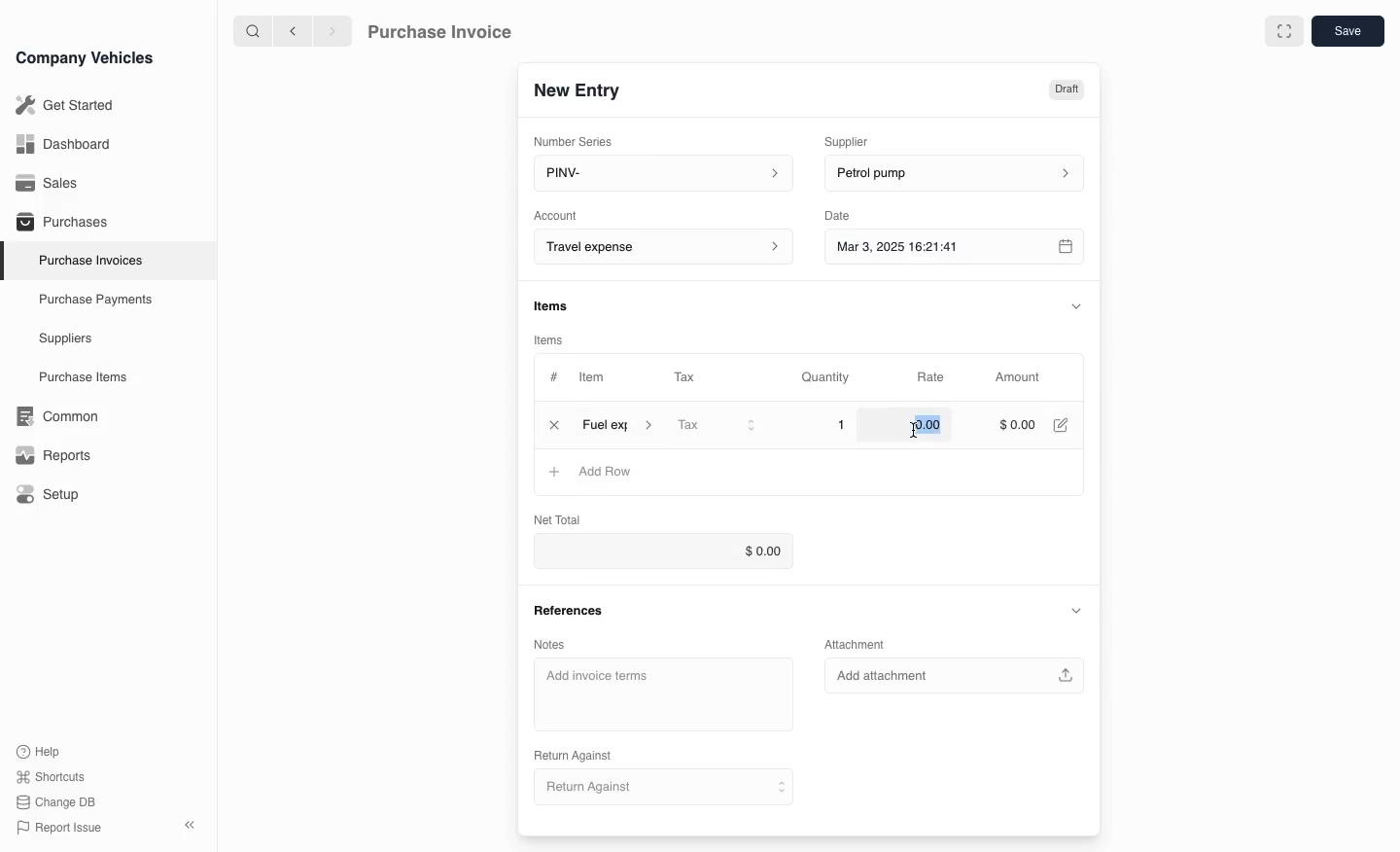 This screenshot has width=1400, height=852. What do you see at coordinates (857, 644) in the screenshot?
I see `Attachment` at bounding box center [857, 644].